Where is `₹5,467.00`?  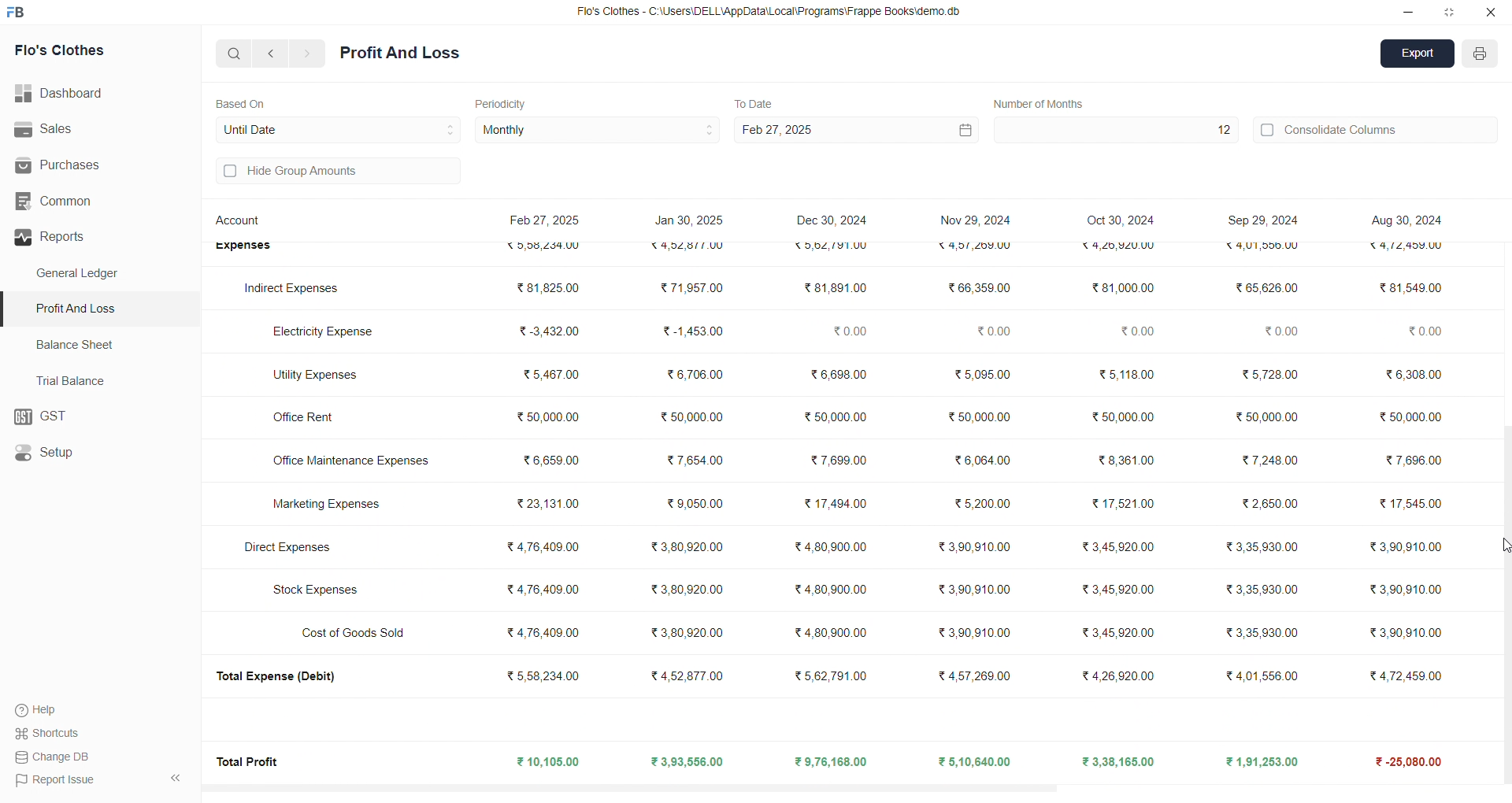
₹5,467.00 is located at coordinates (550, 377).